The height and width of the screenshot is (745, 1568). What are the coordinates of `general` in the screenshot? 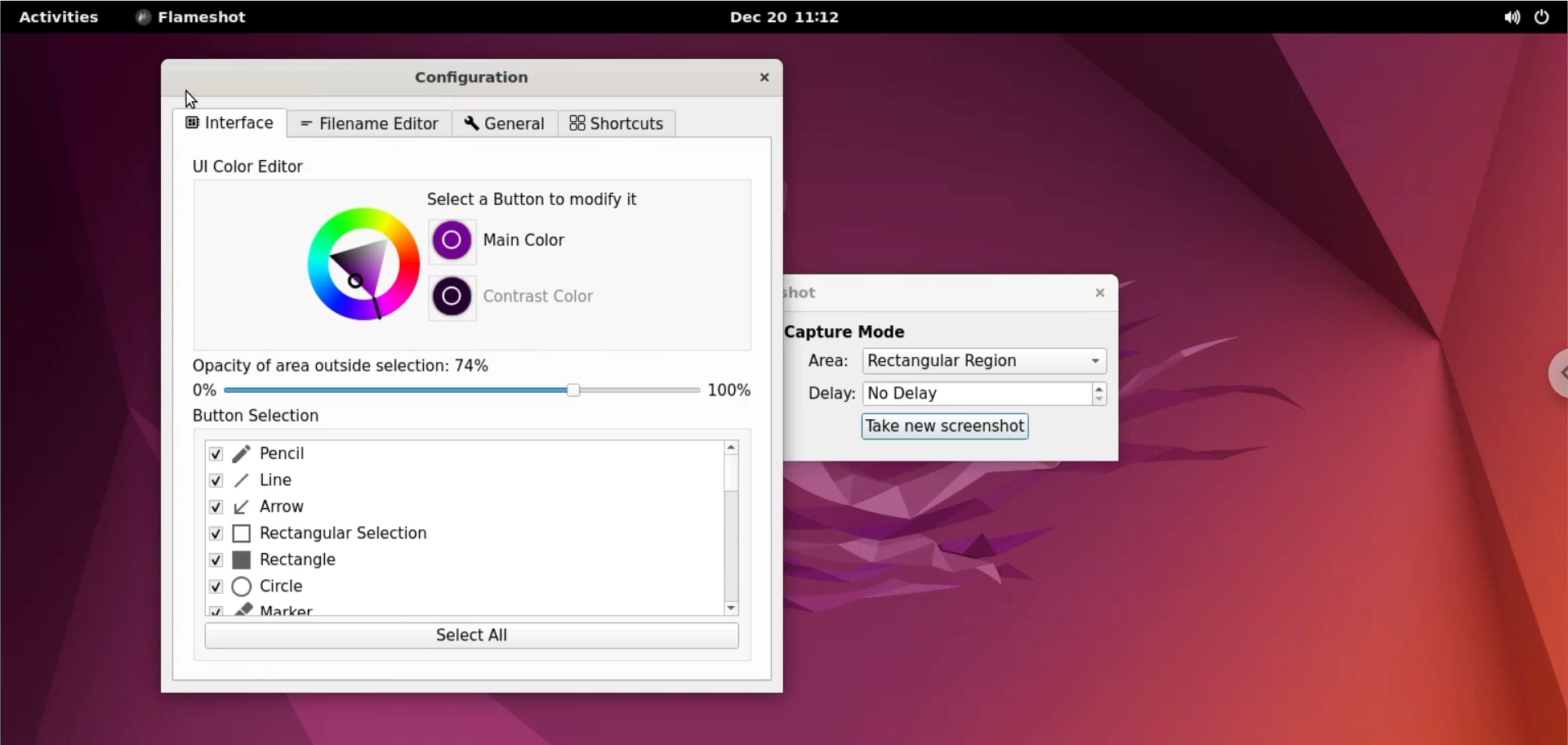 It's located at (506, 124).